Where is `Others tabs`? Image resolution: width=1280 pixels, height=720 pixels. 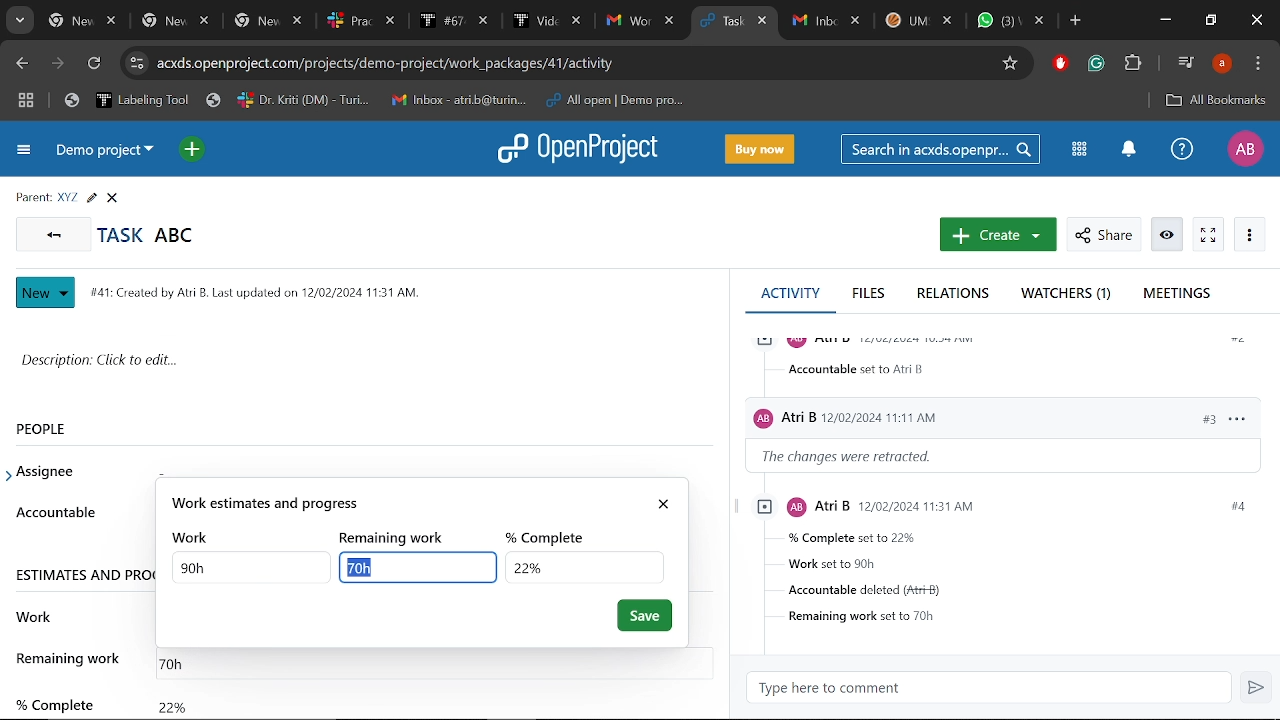
Others tabs is located at coordinates (363, 21).